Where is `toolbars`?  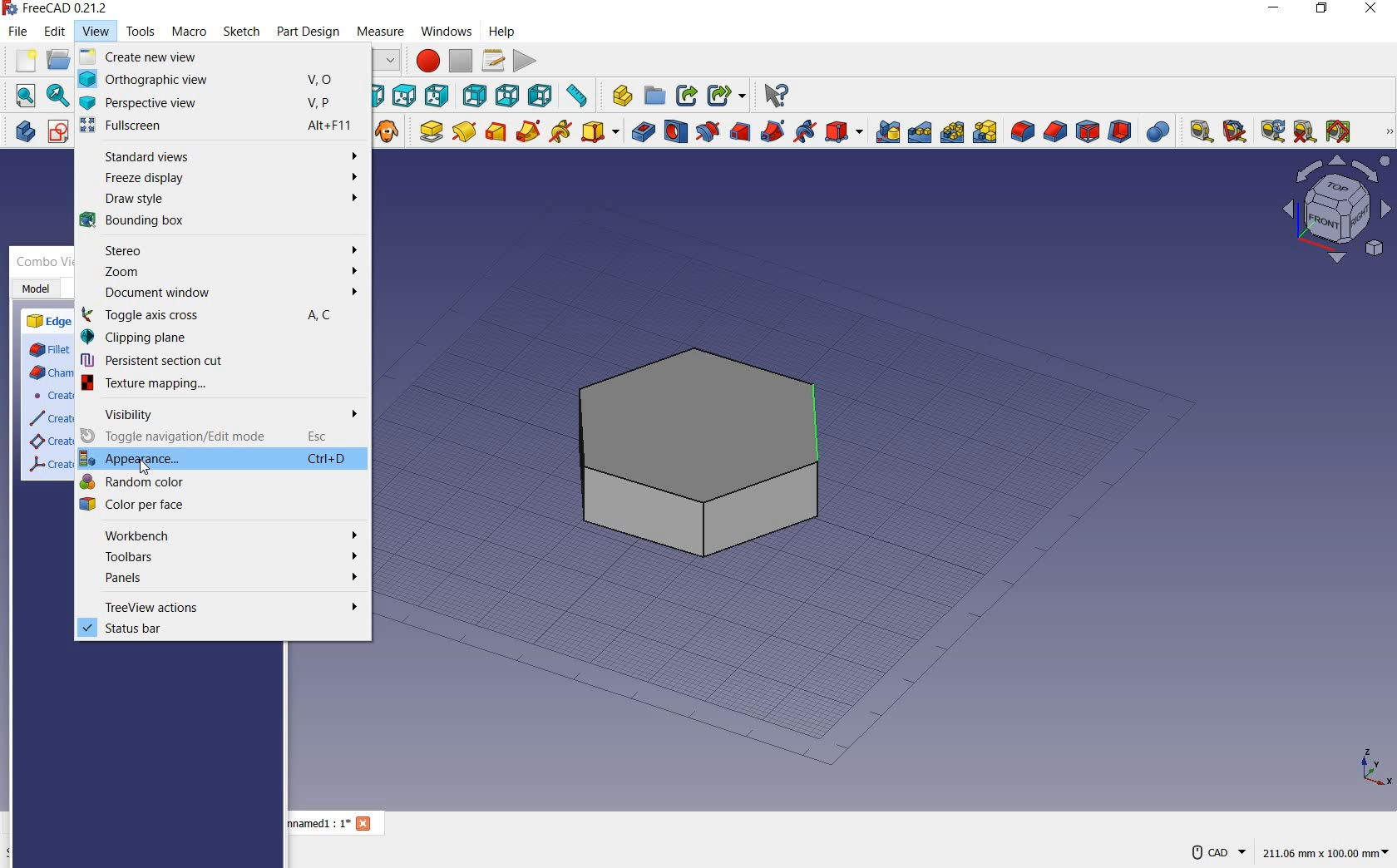
toolbars is located at coordinates (220, 560).